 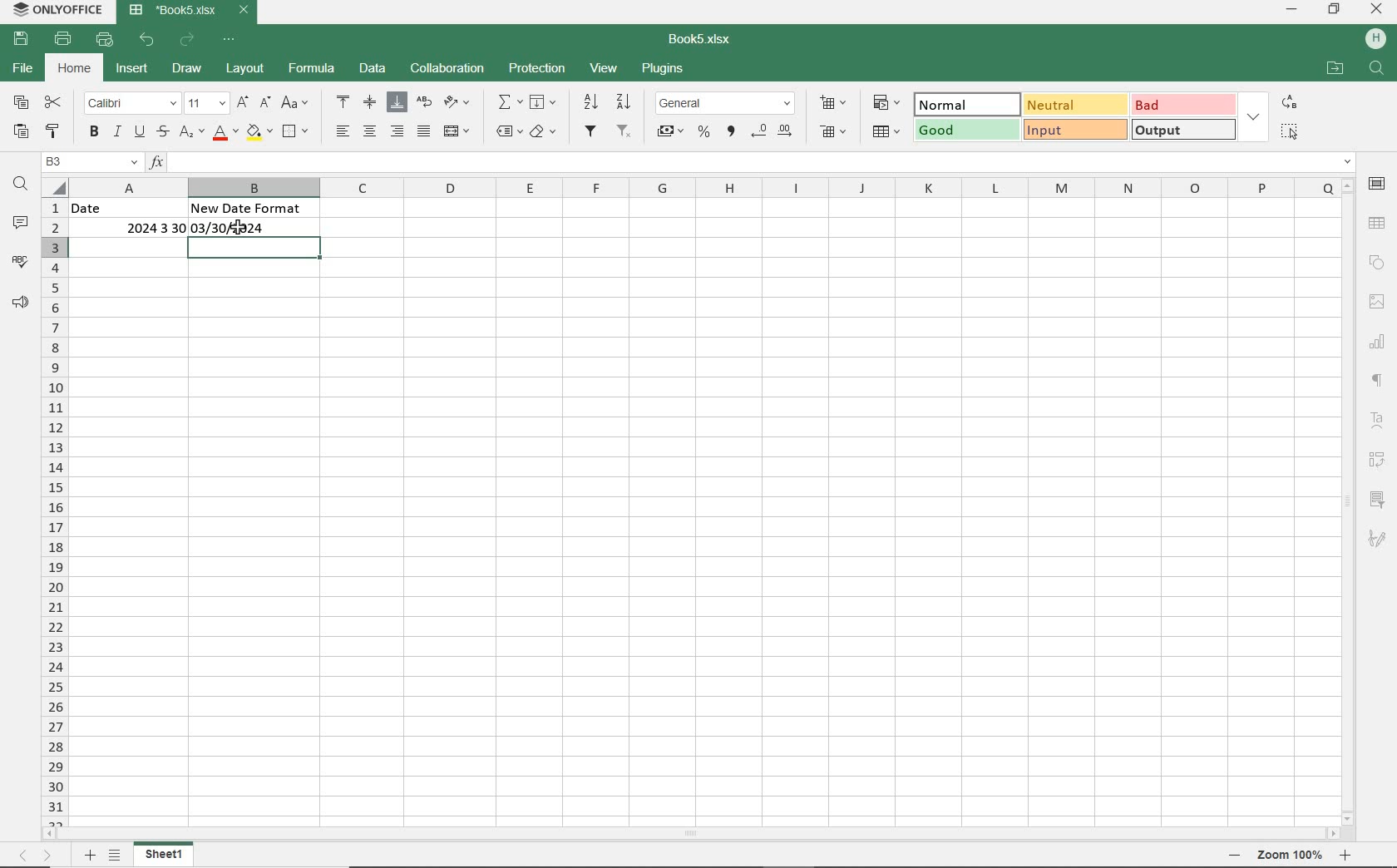 What do you see at coordinates (459, 101) in the screenshot?
I see `ORIENTATION` at bounding box center [459, 101].